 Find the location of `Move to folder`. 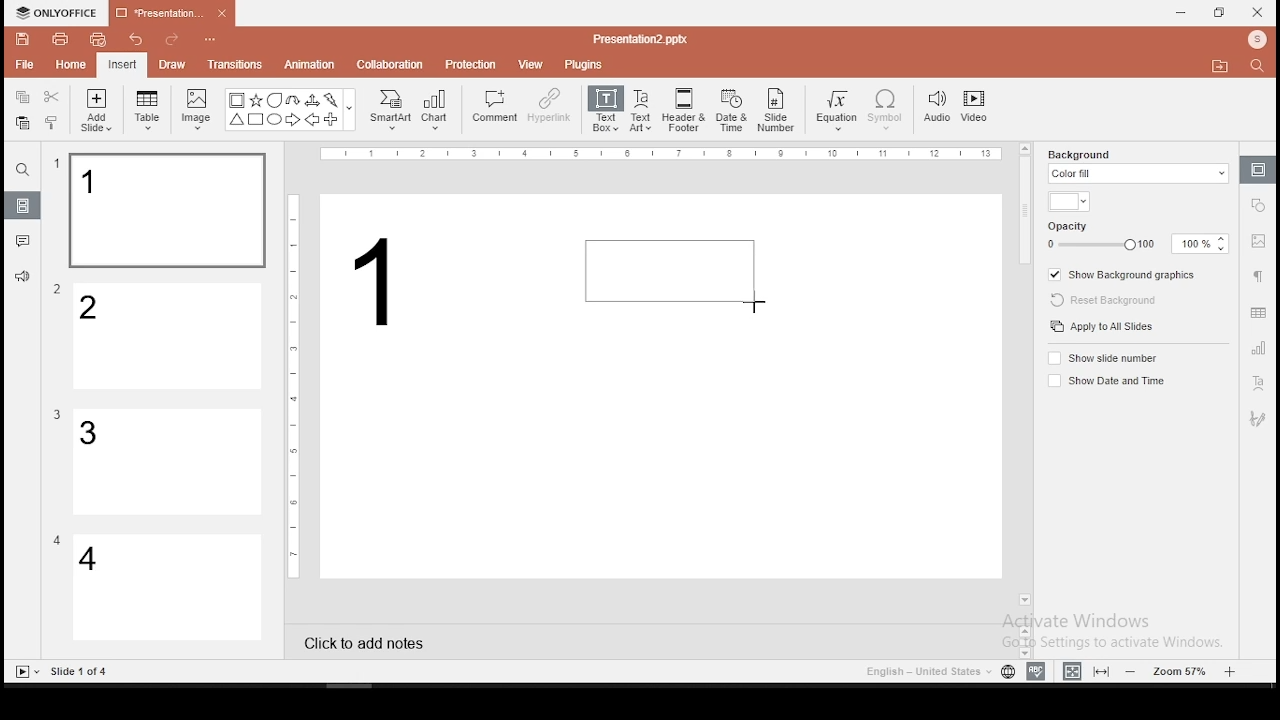

Move to folder is located at coordinates (1223, 68).